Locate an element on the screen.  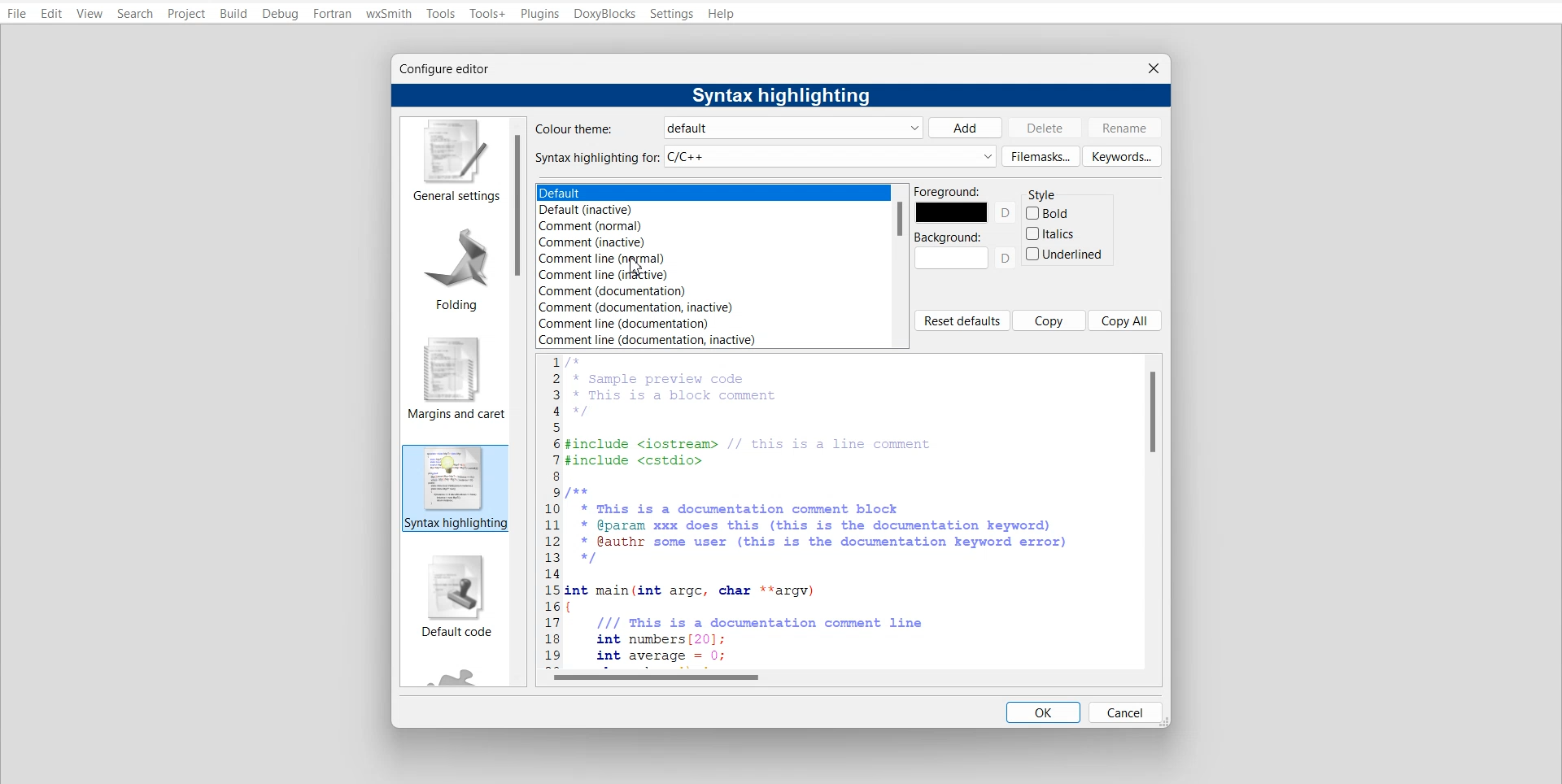
Comment line (inactive) is located at coordinates (640, 275).